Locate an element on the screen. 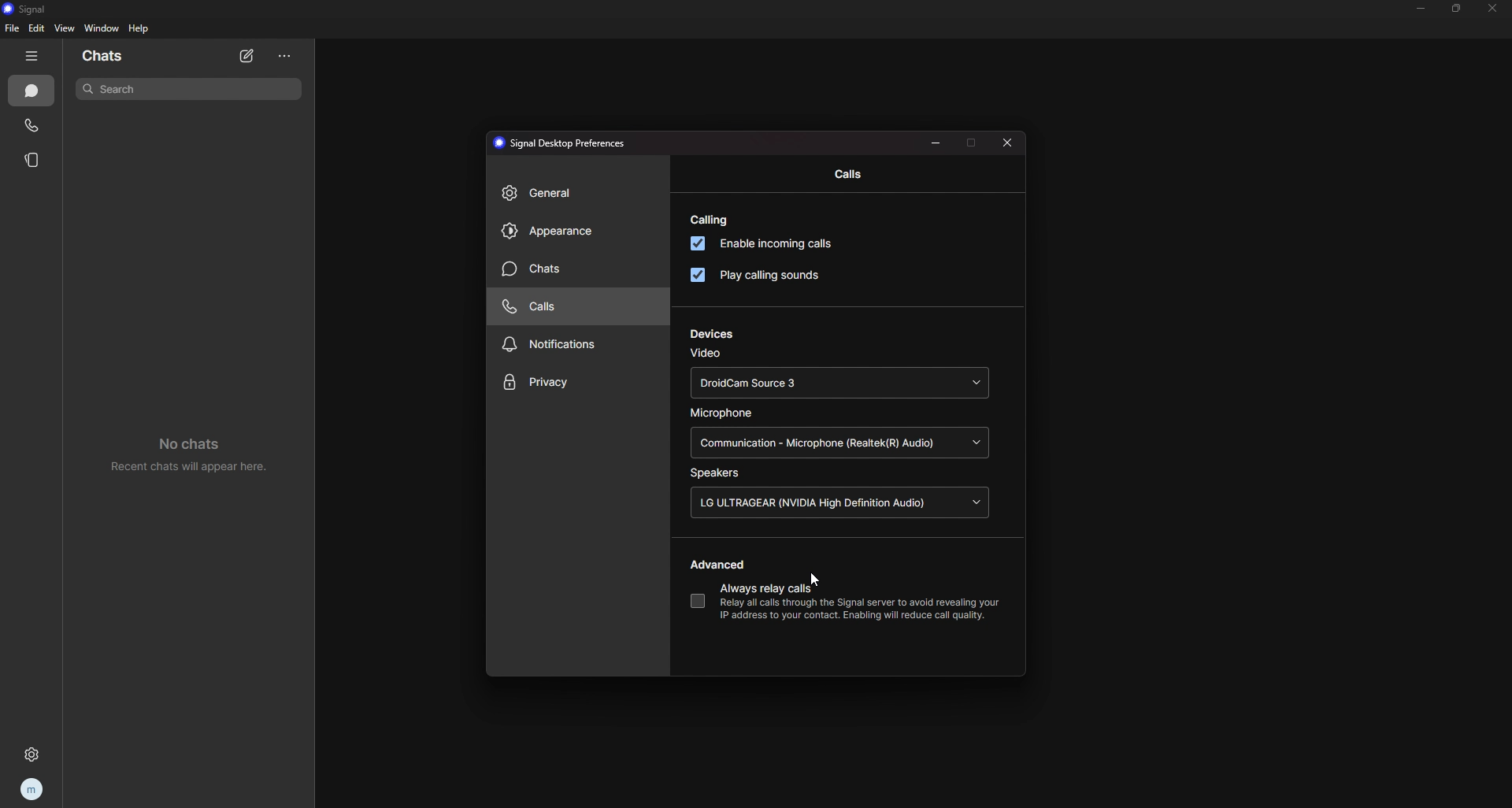  resize is located at coordinates (1458, 8).